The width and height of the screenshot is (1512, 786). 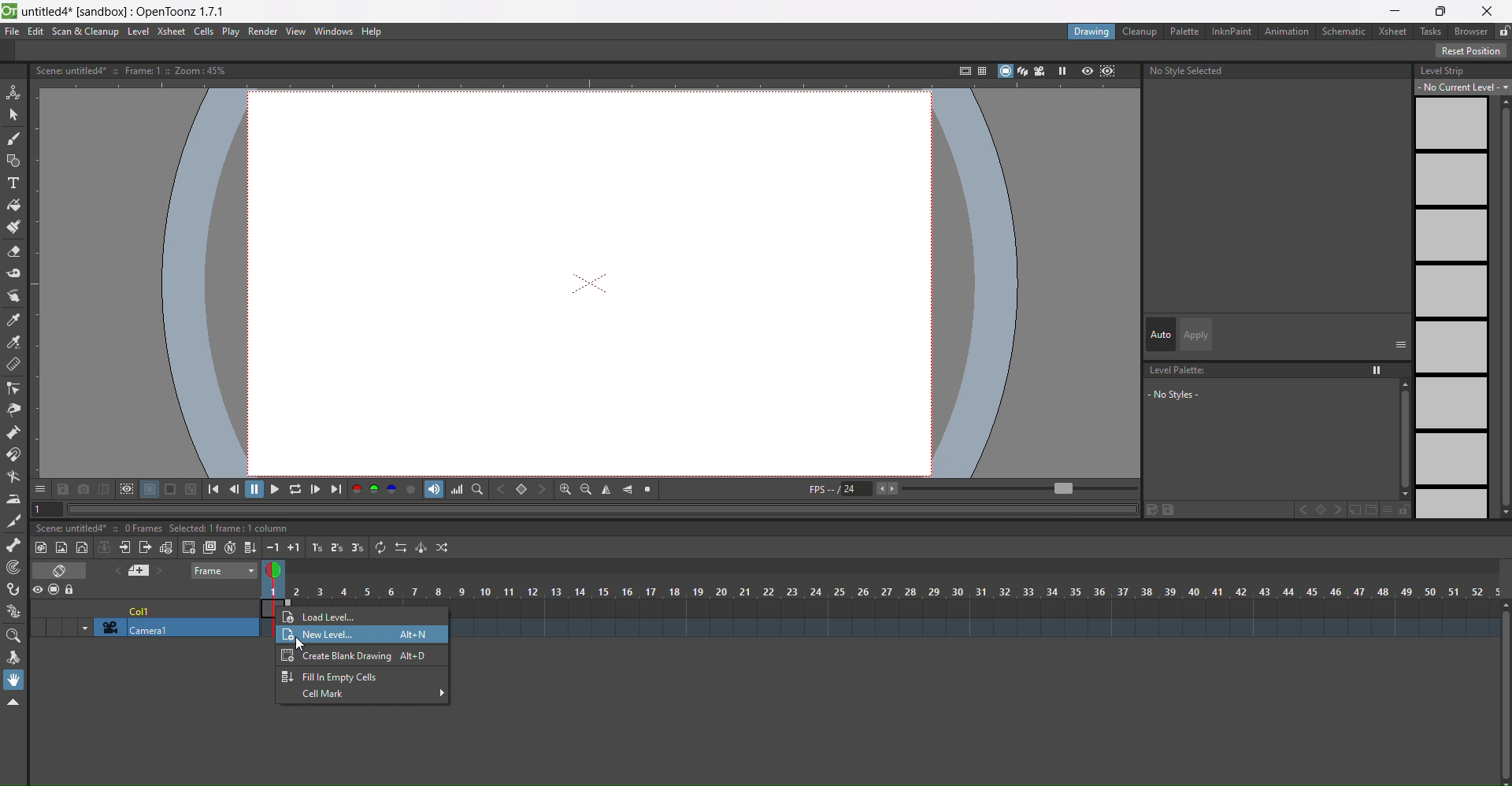 I want to click on RGB channel, so click(x=374, y=489).